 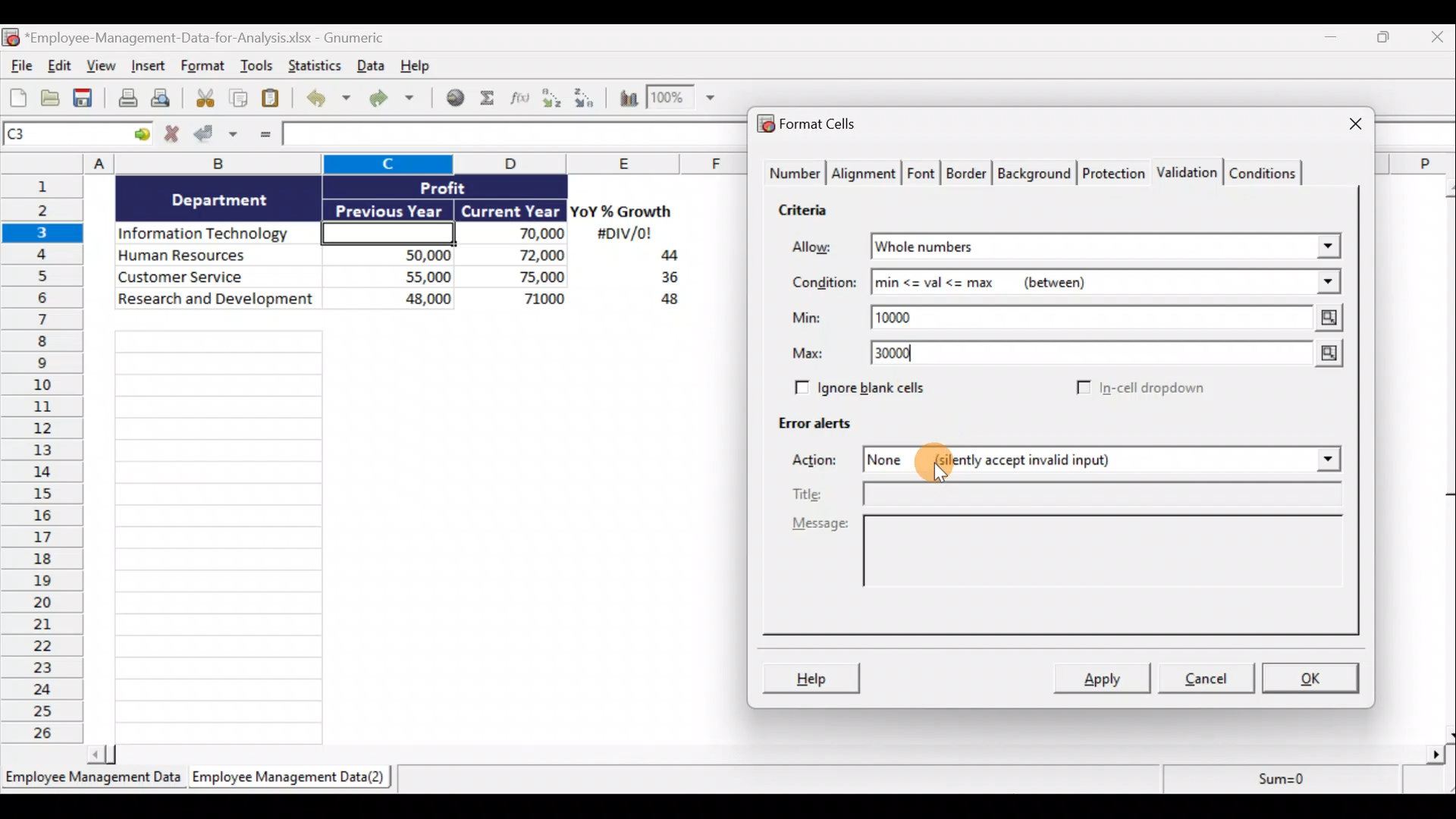 What do you see at coordinates (661, 302) in the screenshot?
I see `48` at bounding box center [661, 302].